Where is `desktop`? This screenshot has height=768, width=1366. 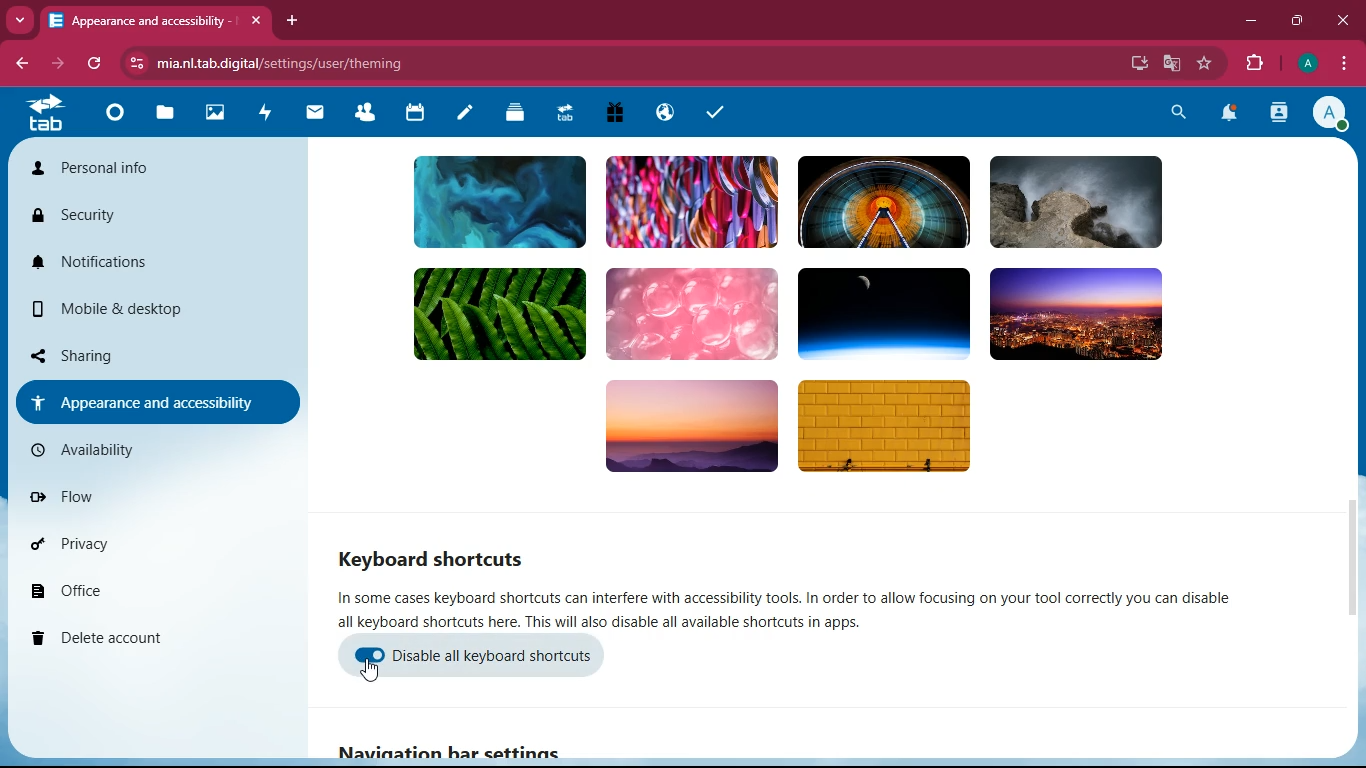
desktop is located at coordinates (1135, 63).